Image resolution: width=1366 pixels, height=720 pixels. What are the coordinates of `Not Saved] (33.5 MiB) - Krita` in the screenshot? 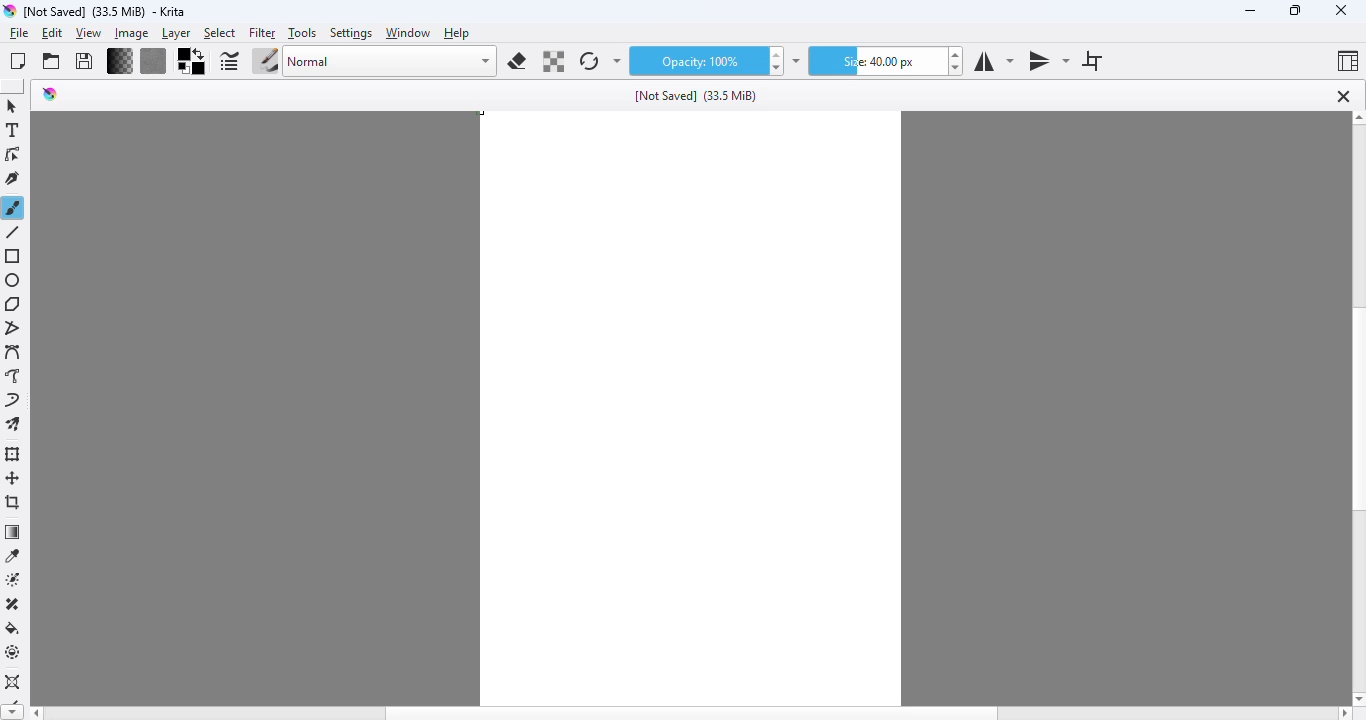 It's located at (119, 10).